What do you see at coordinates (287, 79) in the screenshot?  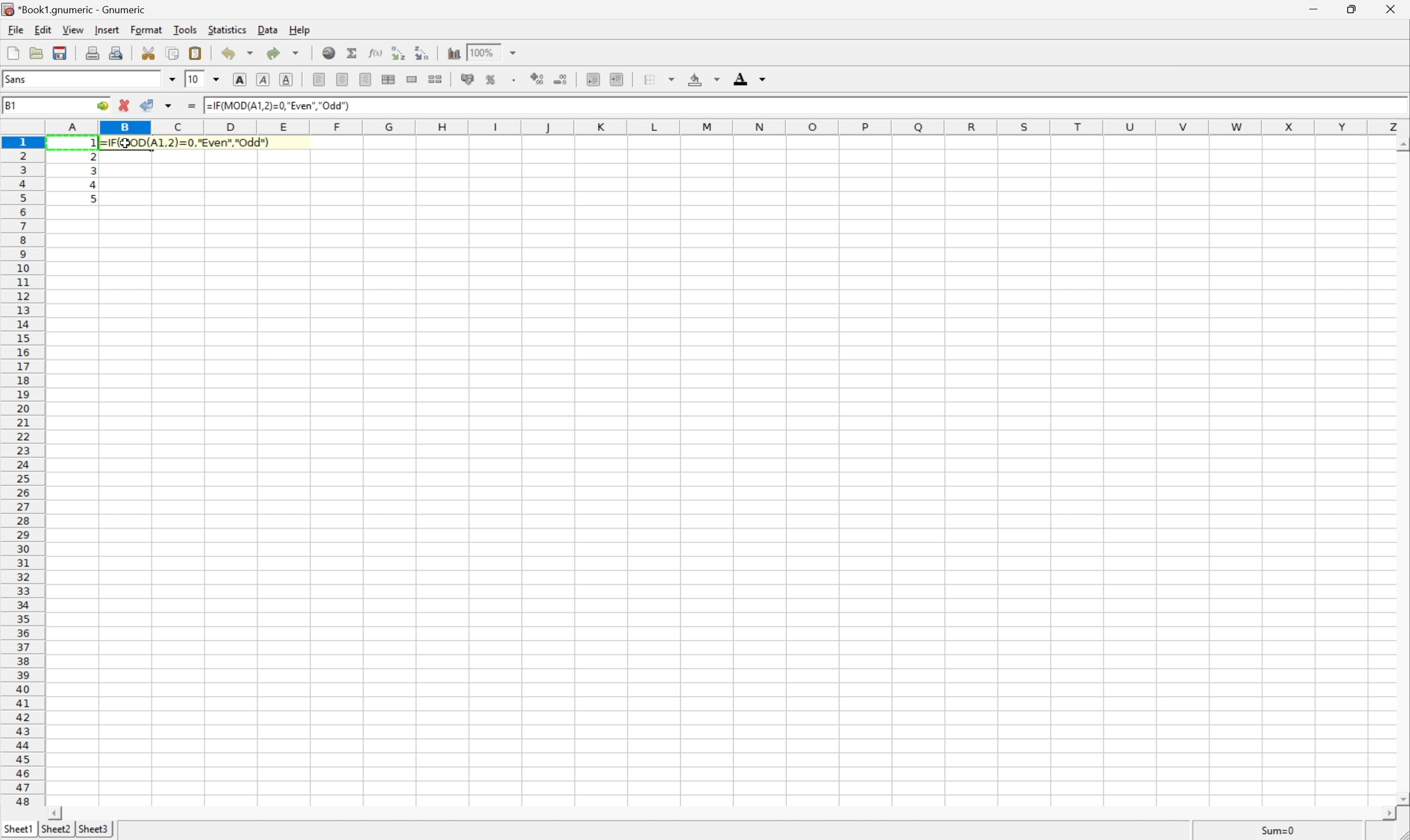 I see `Underline` at bounding box center [287, 79].